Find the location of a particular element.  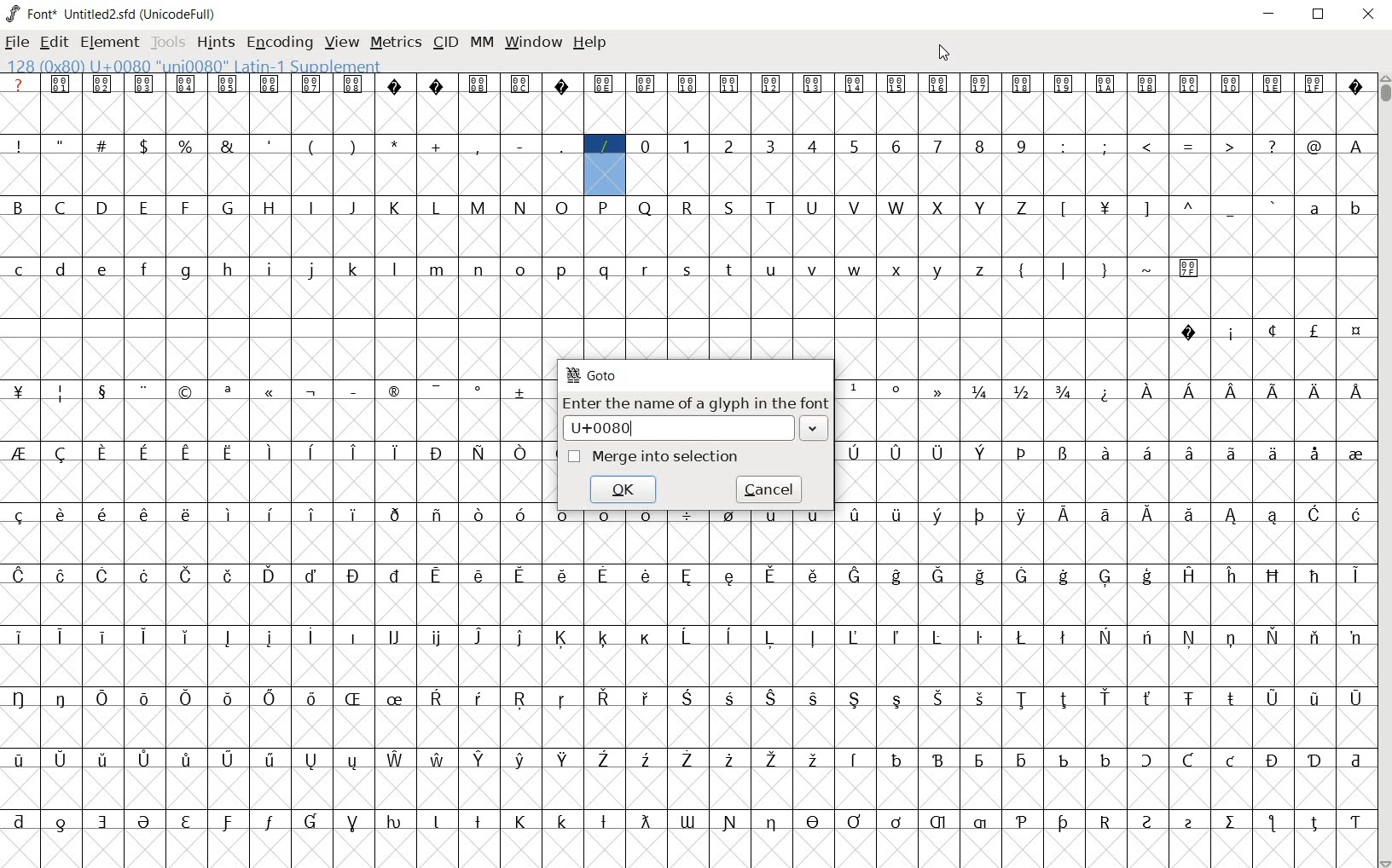

glyph is located at coordinates (603, 84).